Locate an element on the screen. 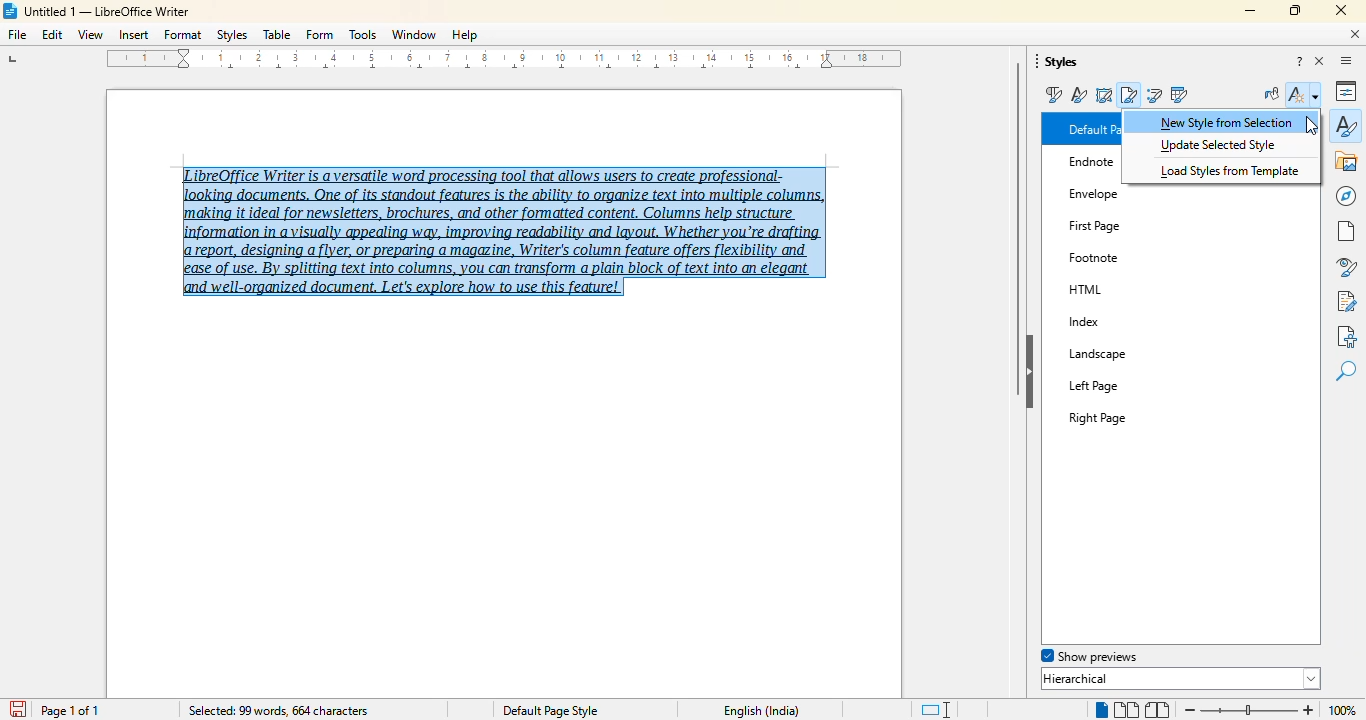 This screenshot has height=720, width=1366. vertical scroll bar is located at coordinates (1019, 228).